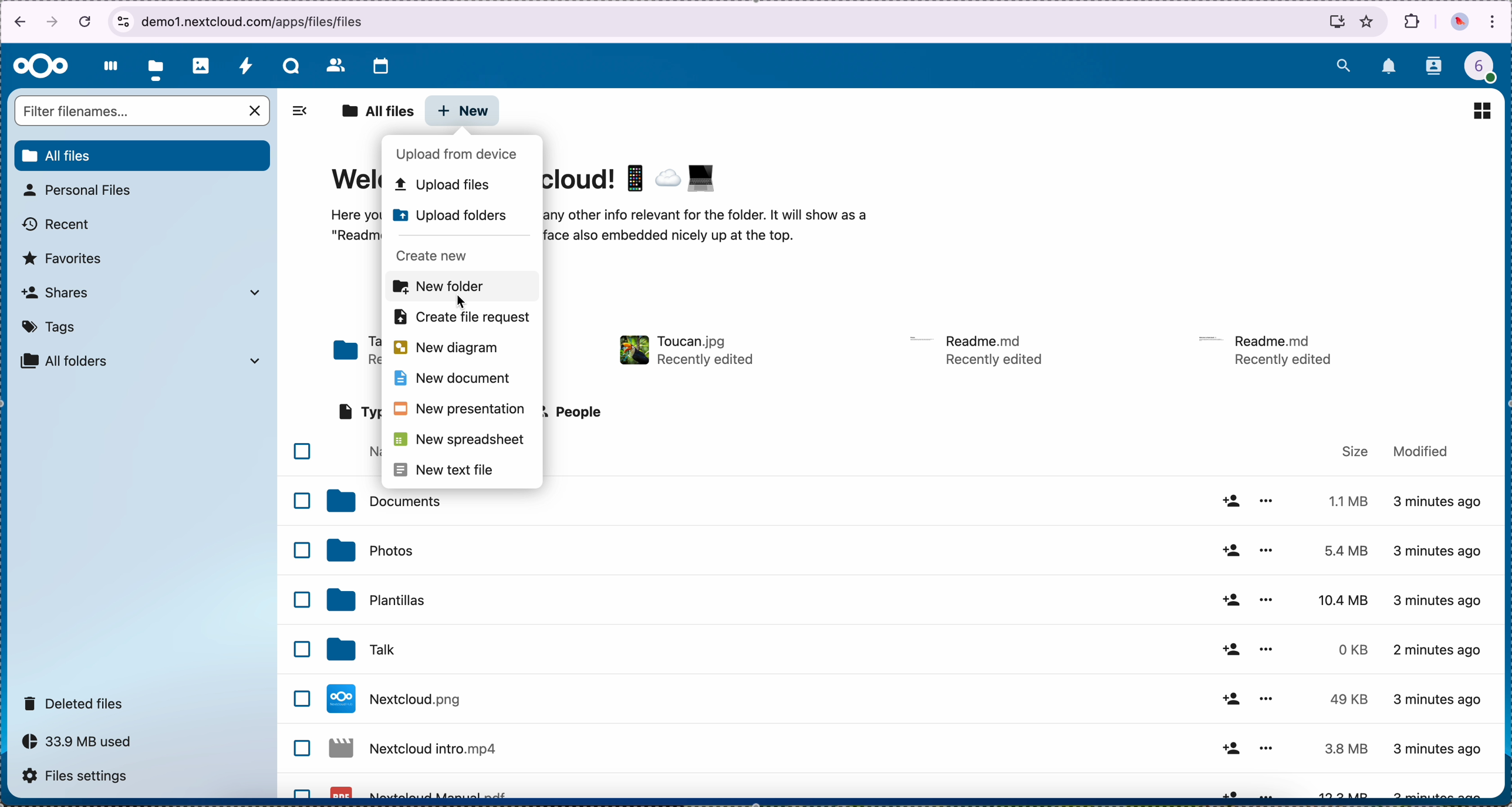  What do you see at coordinates (445, 254) in the screenshot?
I see `create new` at bounding box center [445, 254].